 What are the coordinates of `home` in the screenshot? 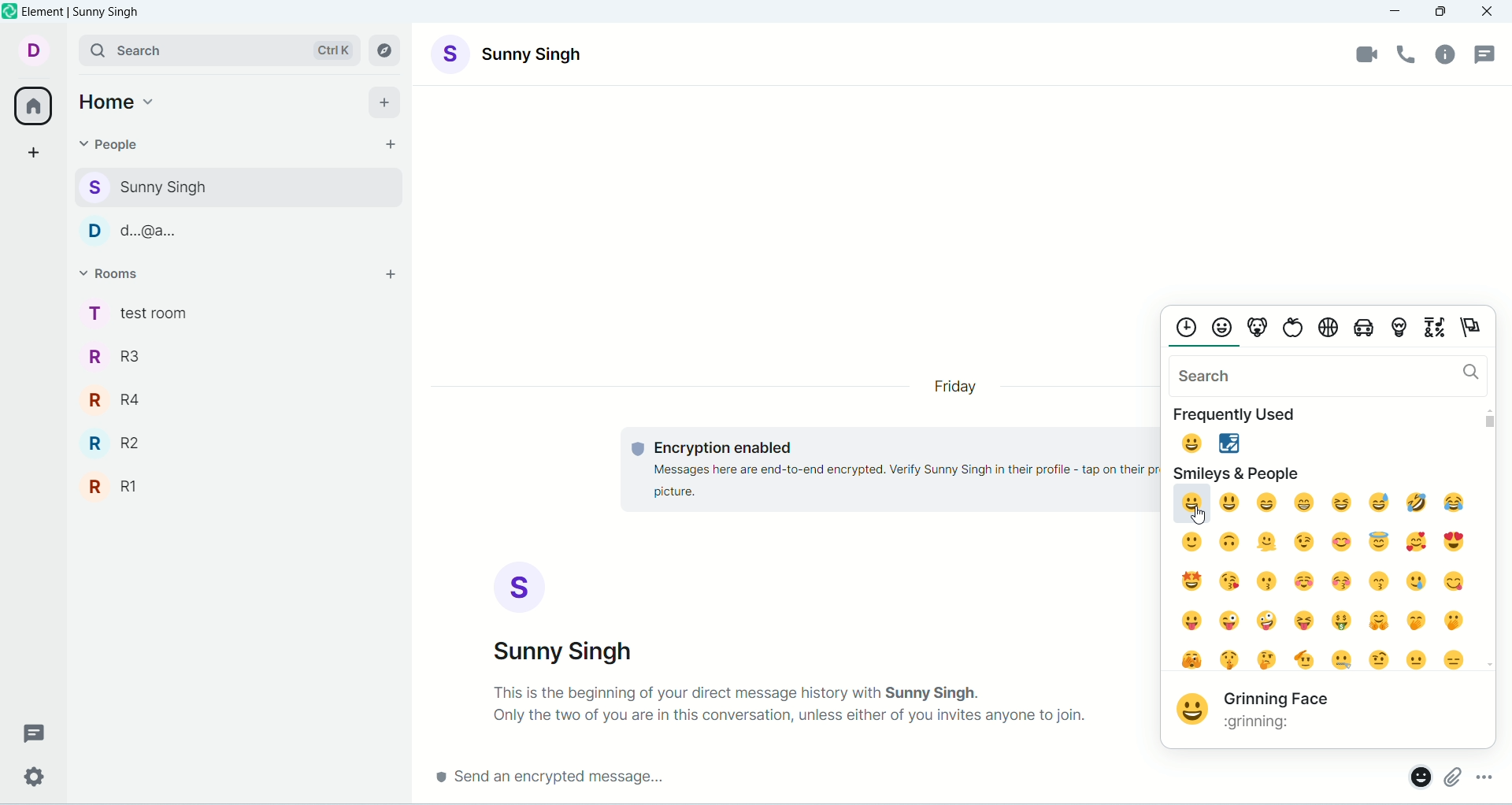 It's located at (32, 107).